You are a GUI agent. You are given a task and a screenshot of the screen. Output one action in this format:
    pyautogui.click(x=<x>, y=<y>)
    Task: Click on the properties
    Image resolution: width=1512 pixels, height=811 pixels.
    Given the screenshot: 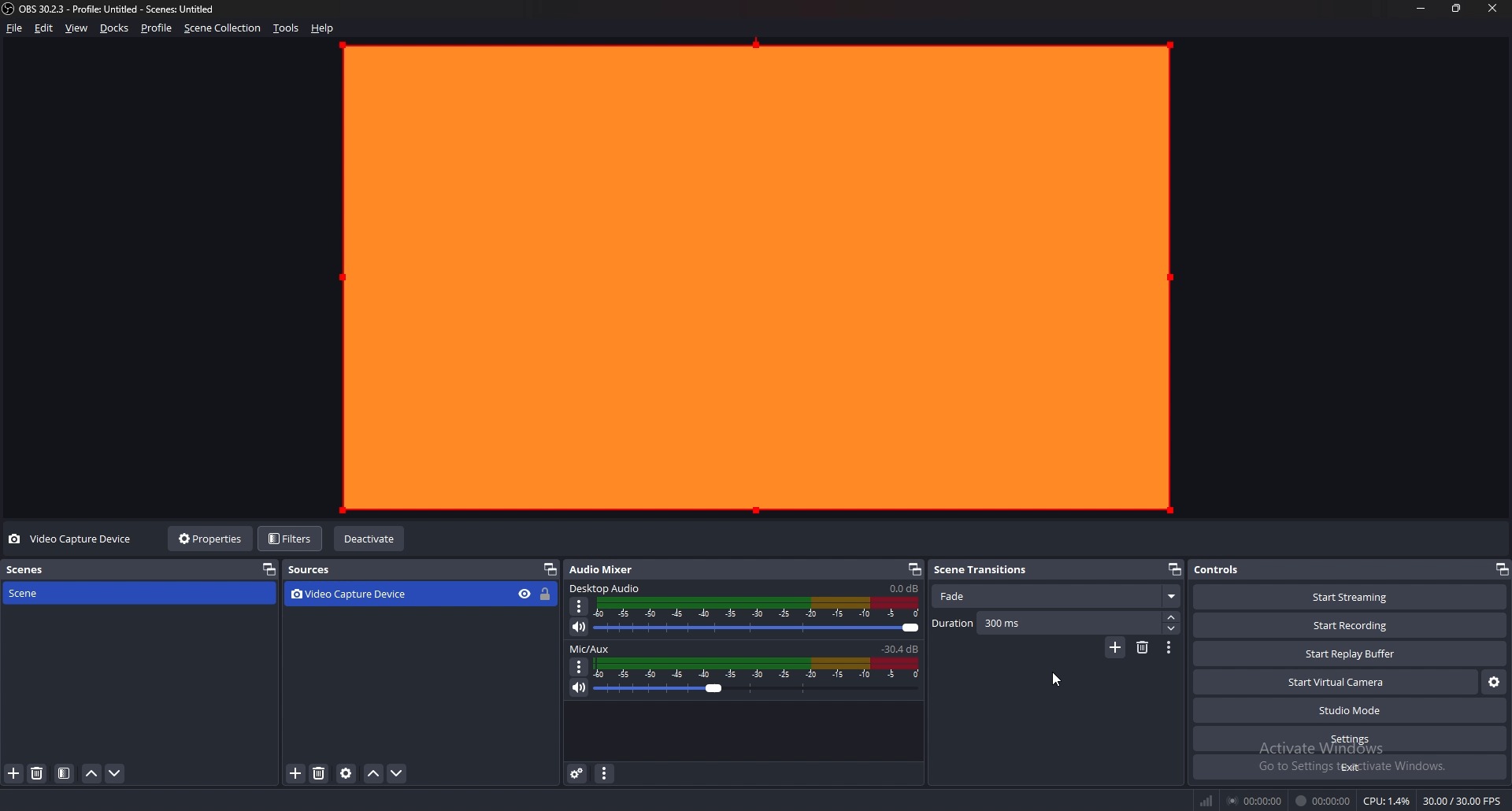 What is the action you would take?
    pyautogui.click(x=213, y=538)
    